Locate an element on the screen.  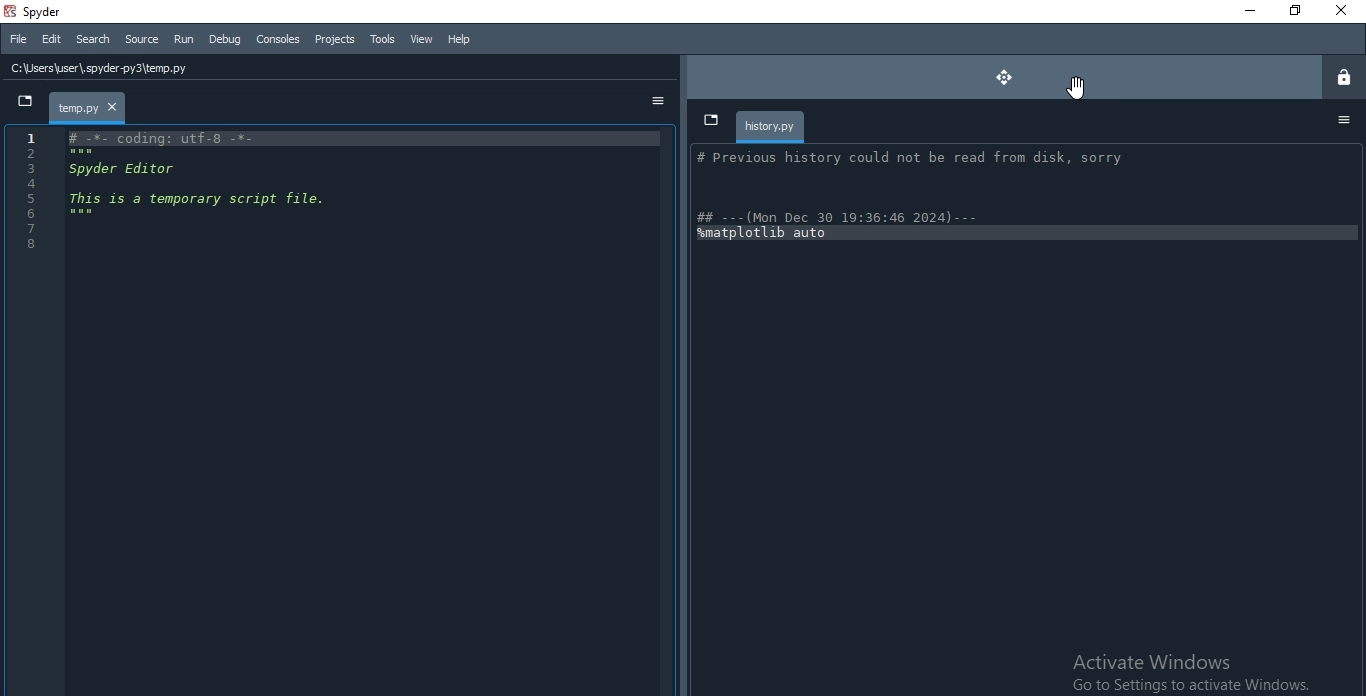
options is located at coordinates (1332, 124).